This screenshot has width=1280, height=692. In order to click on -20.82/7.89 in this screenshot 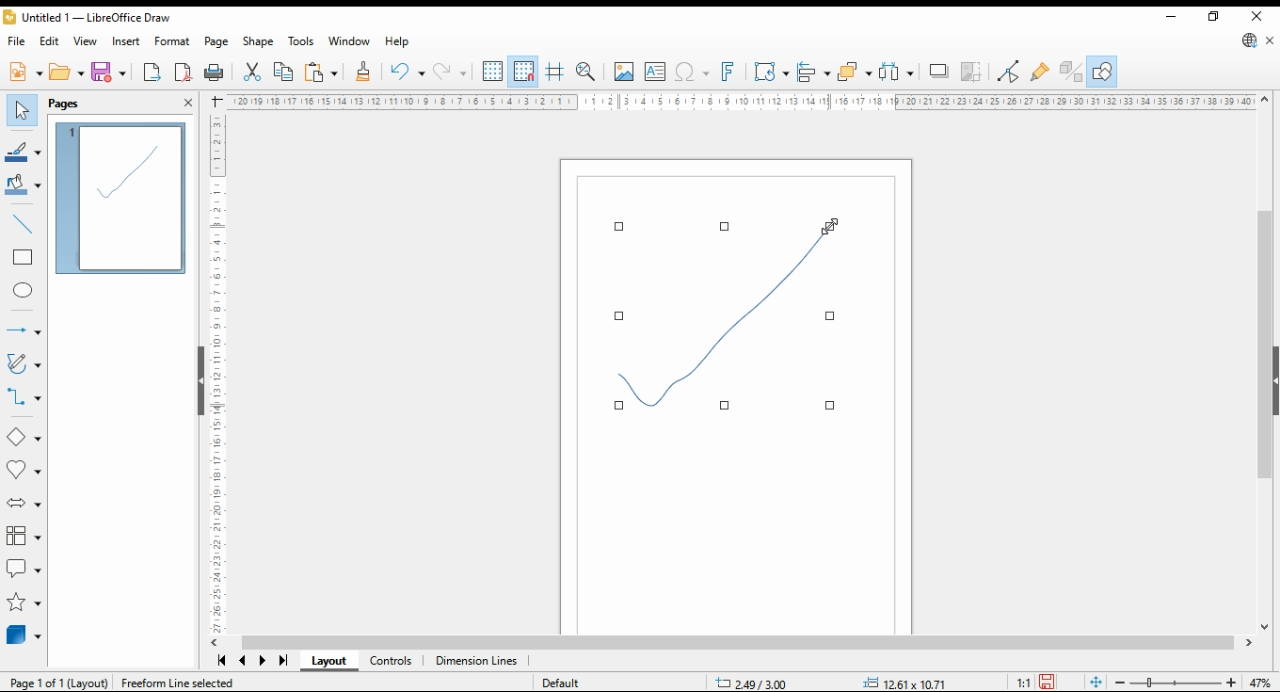, I will do `click(758, 684)`.